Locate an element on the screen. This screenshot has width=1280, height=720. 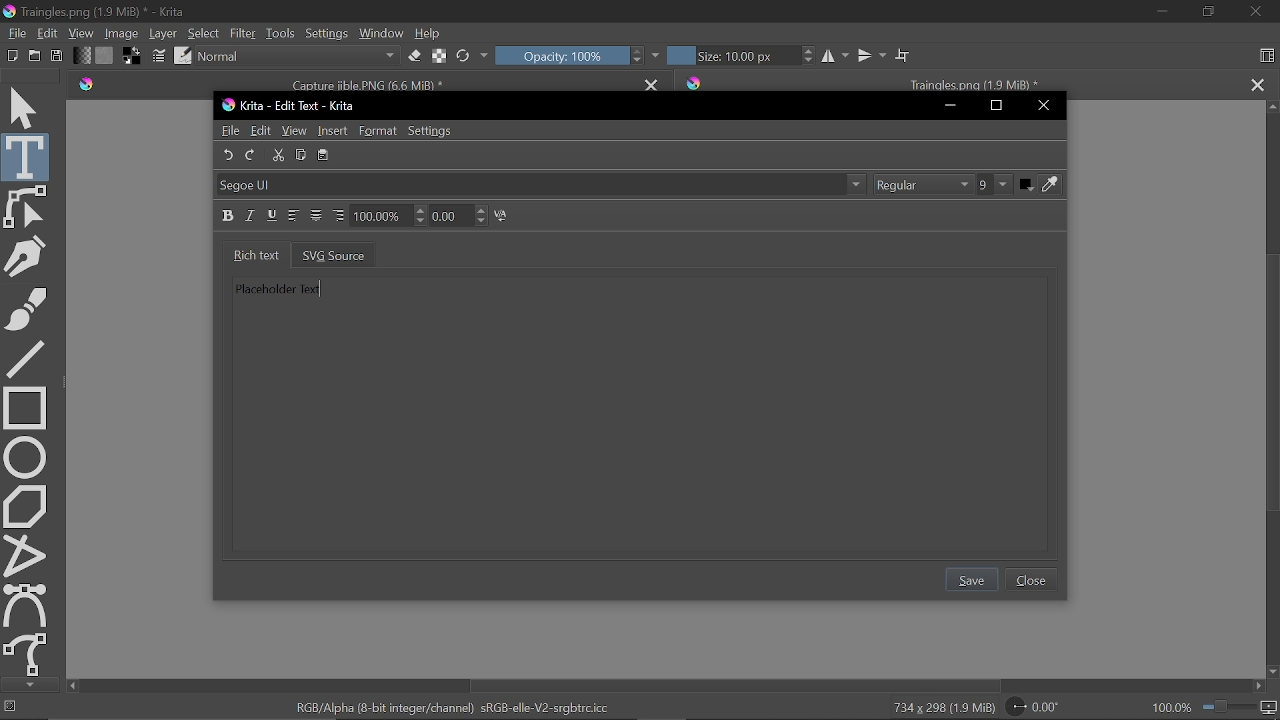
Line tool is located at coordinates (25, 360).